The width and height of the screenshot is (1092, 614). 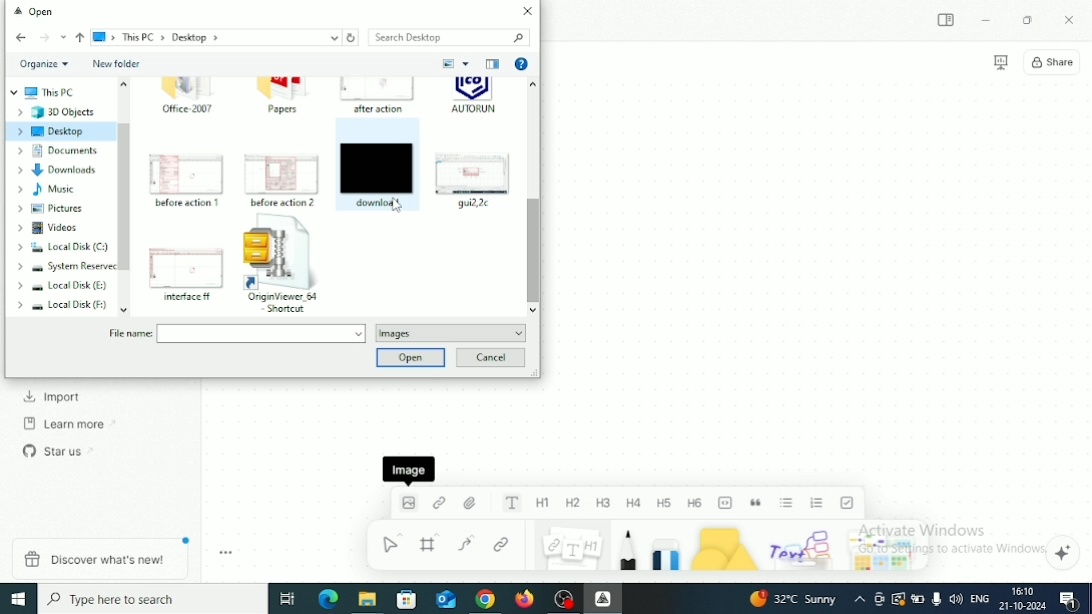 I want to click on This PC > Desktop >, so click(x=216, y=38).